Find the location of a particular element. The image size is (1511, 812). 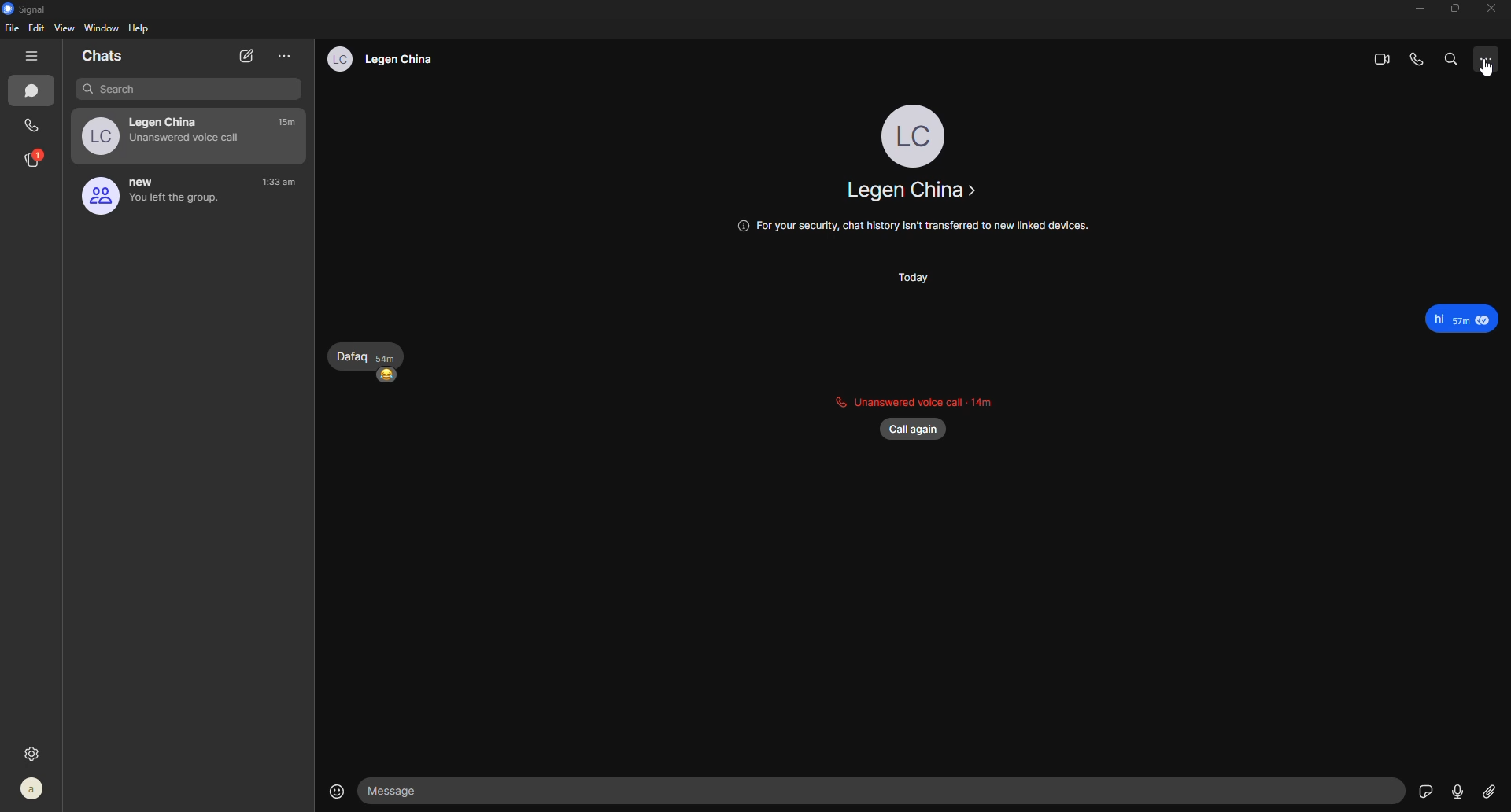

message is located at coordinates (1450, 316).